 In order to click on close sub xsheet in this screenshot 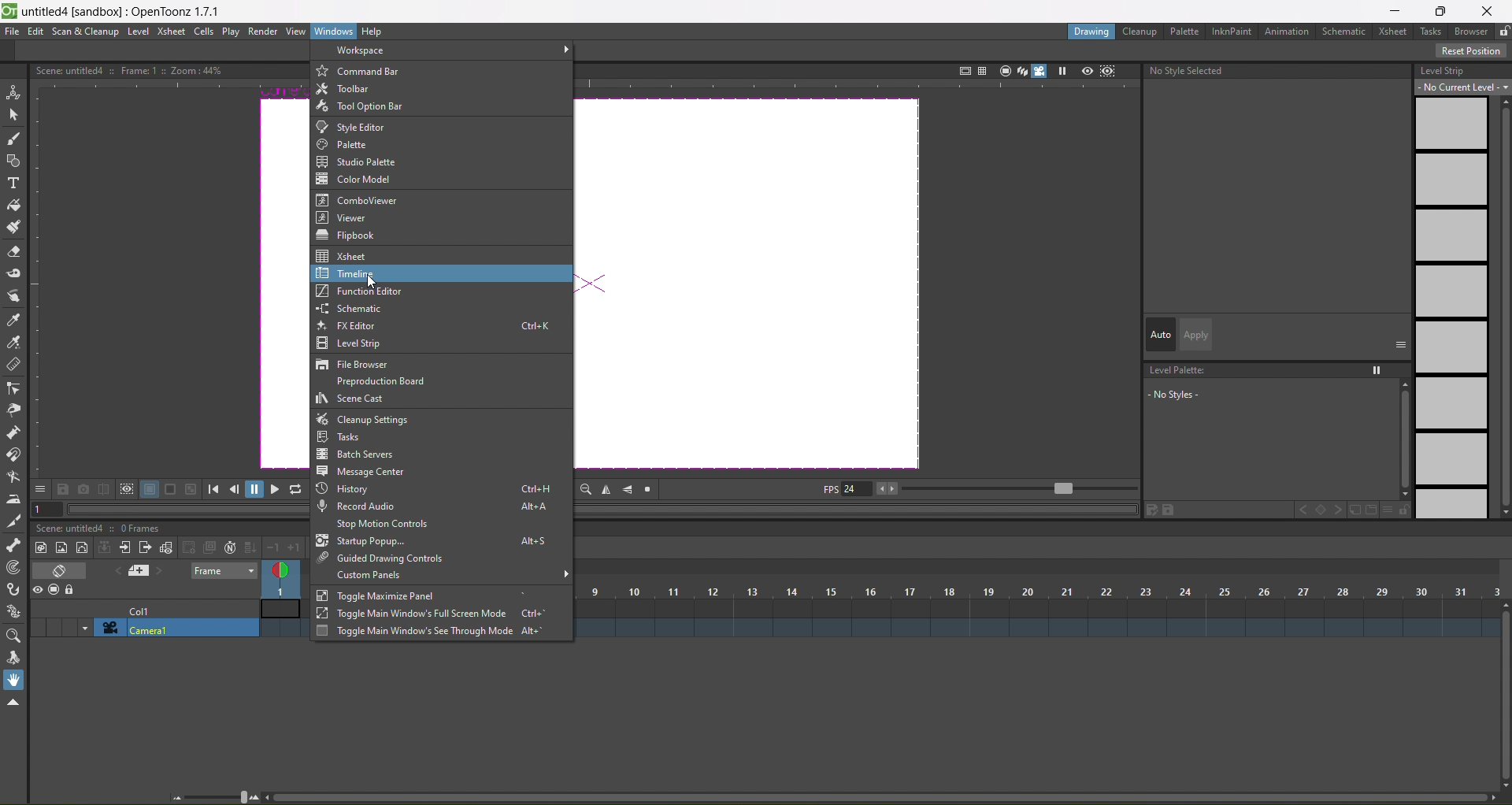, I will do `click(124, 547)`.